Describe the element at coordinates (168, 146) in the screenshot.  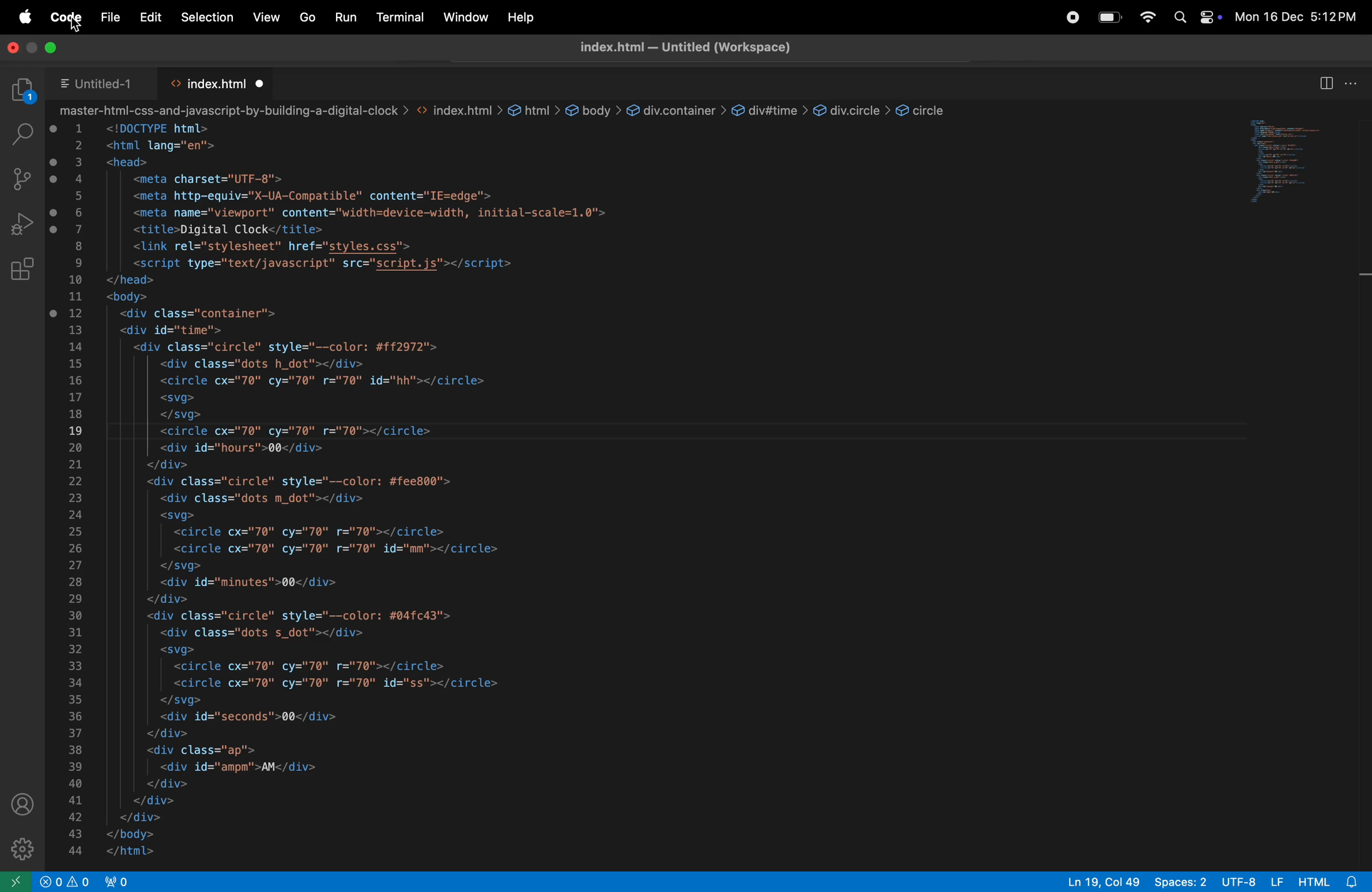
I see `<html lang="en">` at that location.